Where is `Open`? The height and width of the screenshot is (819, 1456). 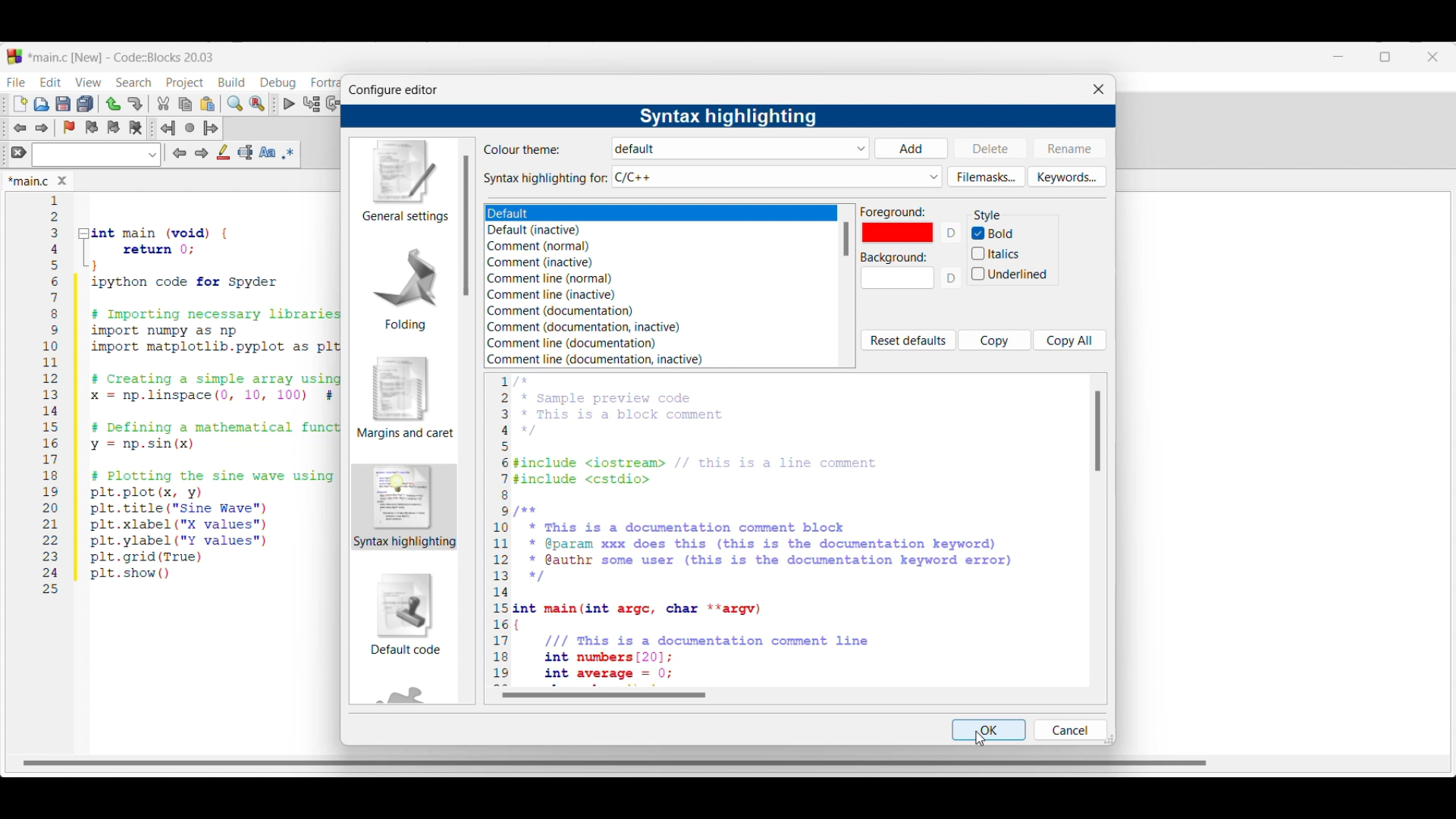
Open is located at coordinates (42, 104).